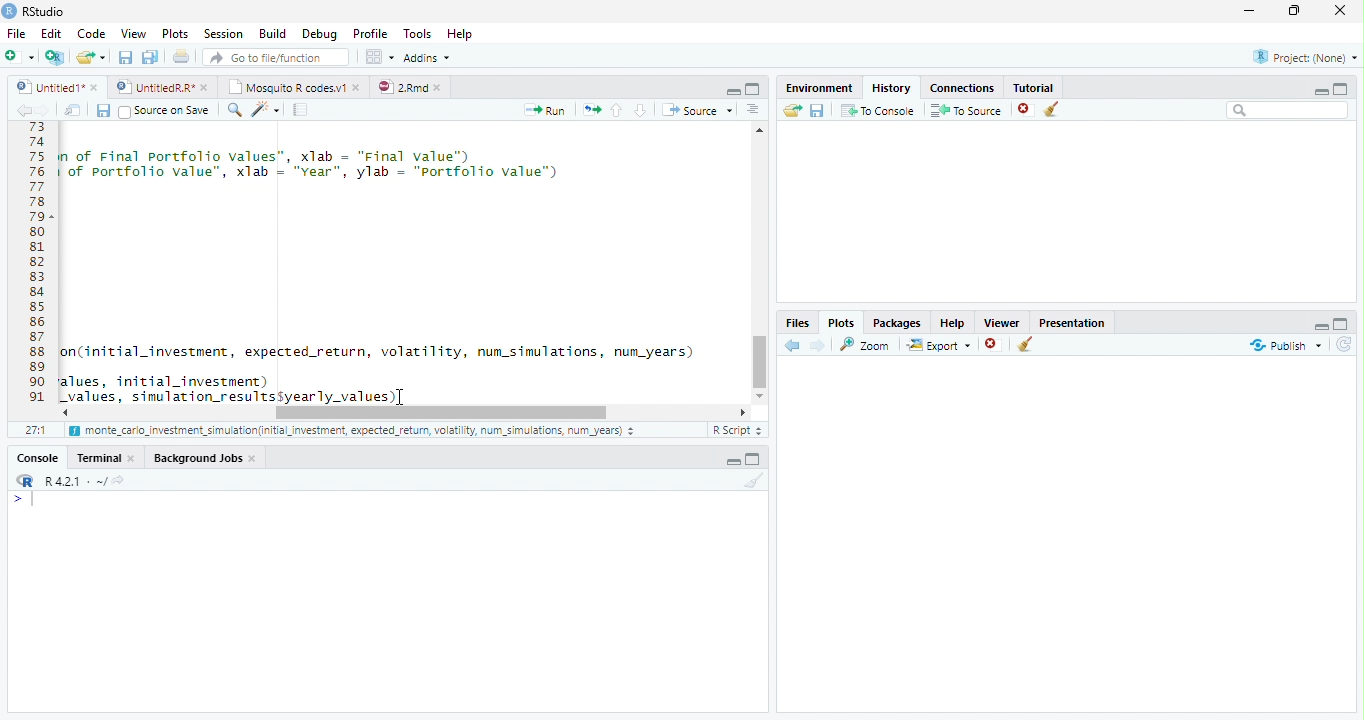 The image size is (1364, 720). I want to click on previous source location, so click(23, 110).